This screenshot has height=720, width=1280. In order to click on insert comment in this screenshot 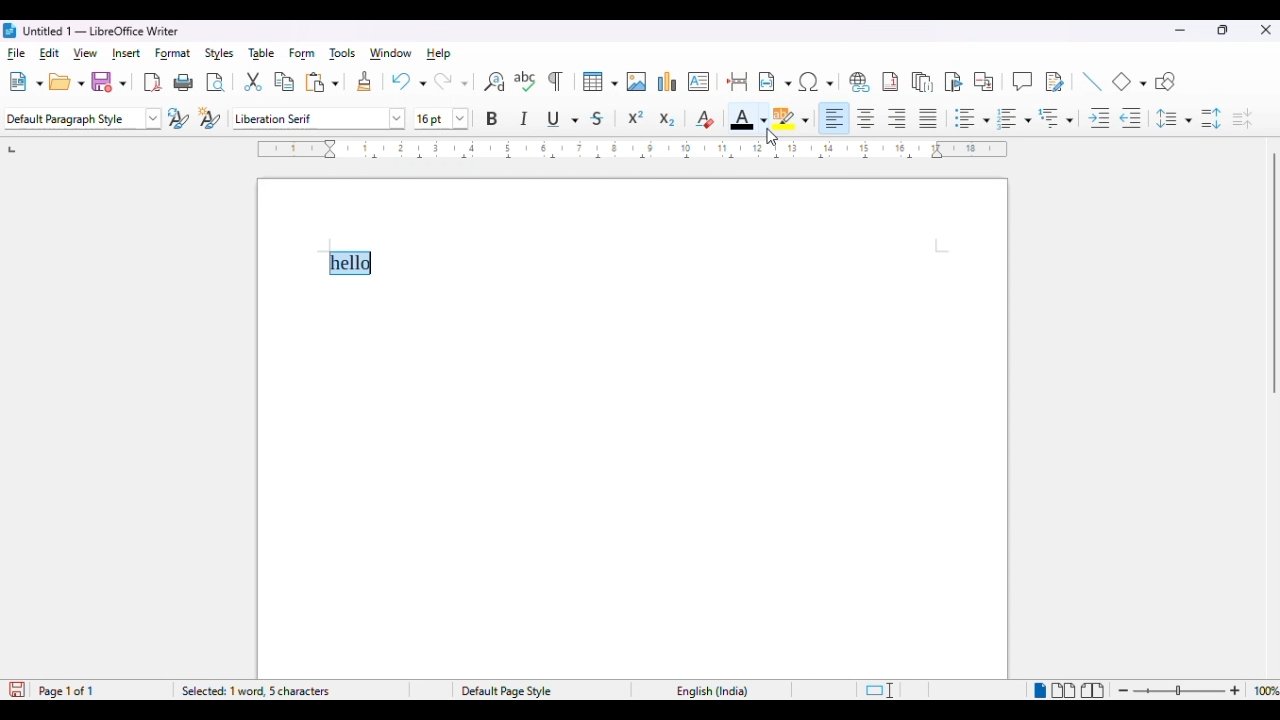, I will do `click(1022, 81)`.